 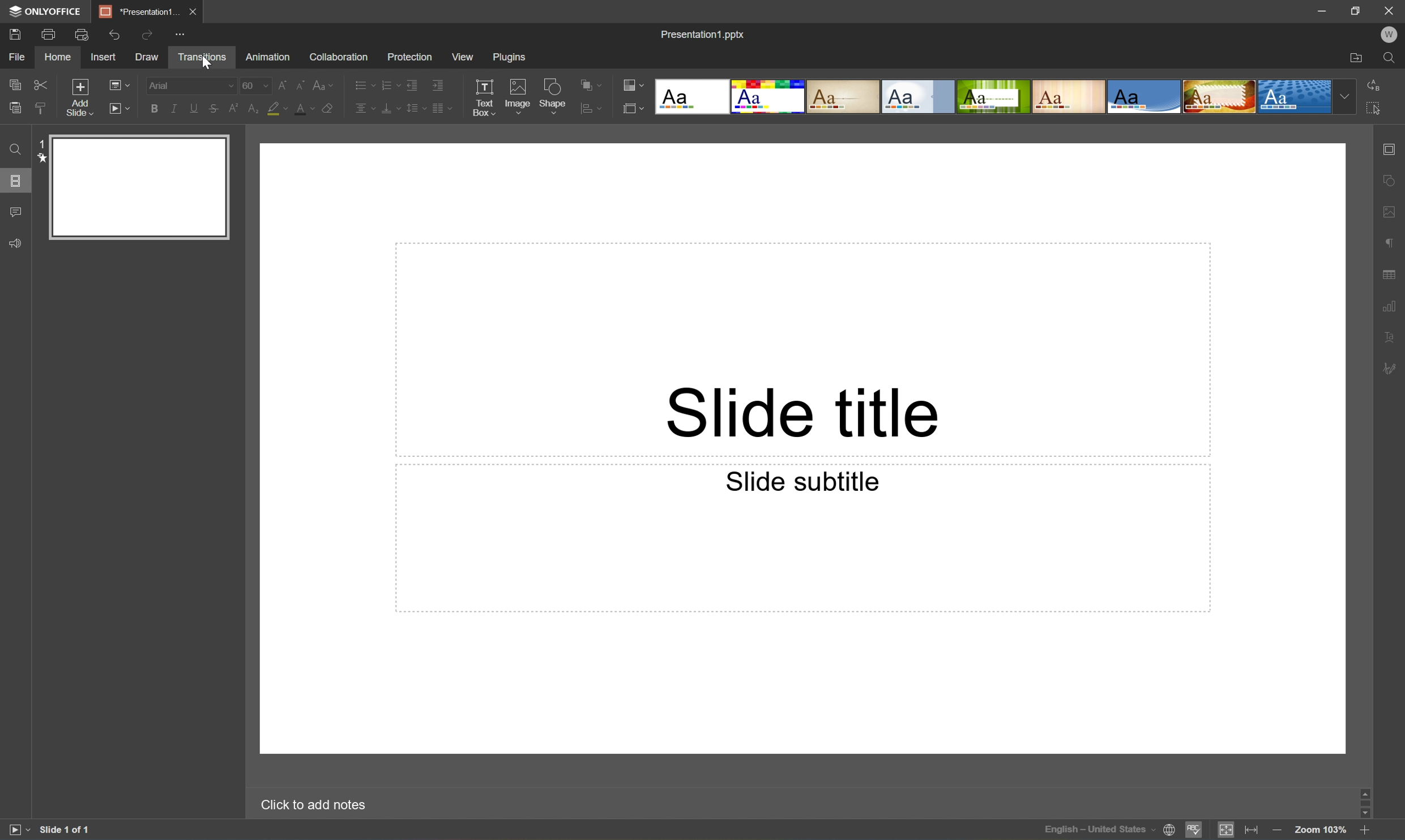 I want to click on Fit to width, so click(x=1252, y=830).